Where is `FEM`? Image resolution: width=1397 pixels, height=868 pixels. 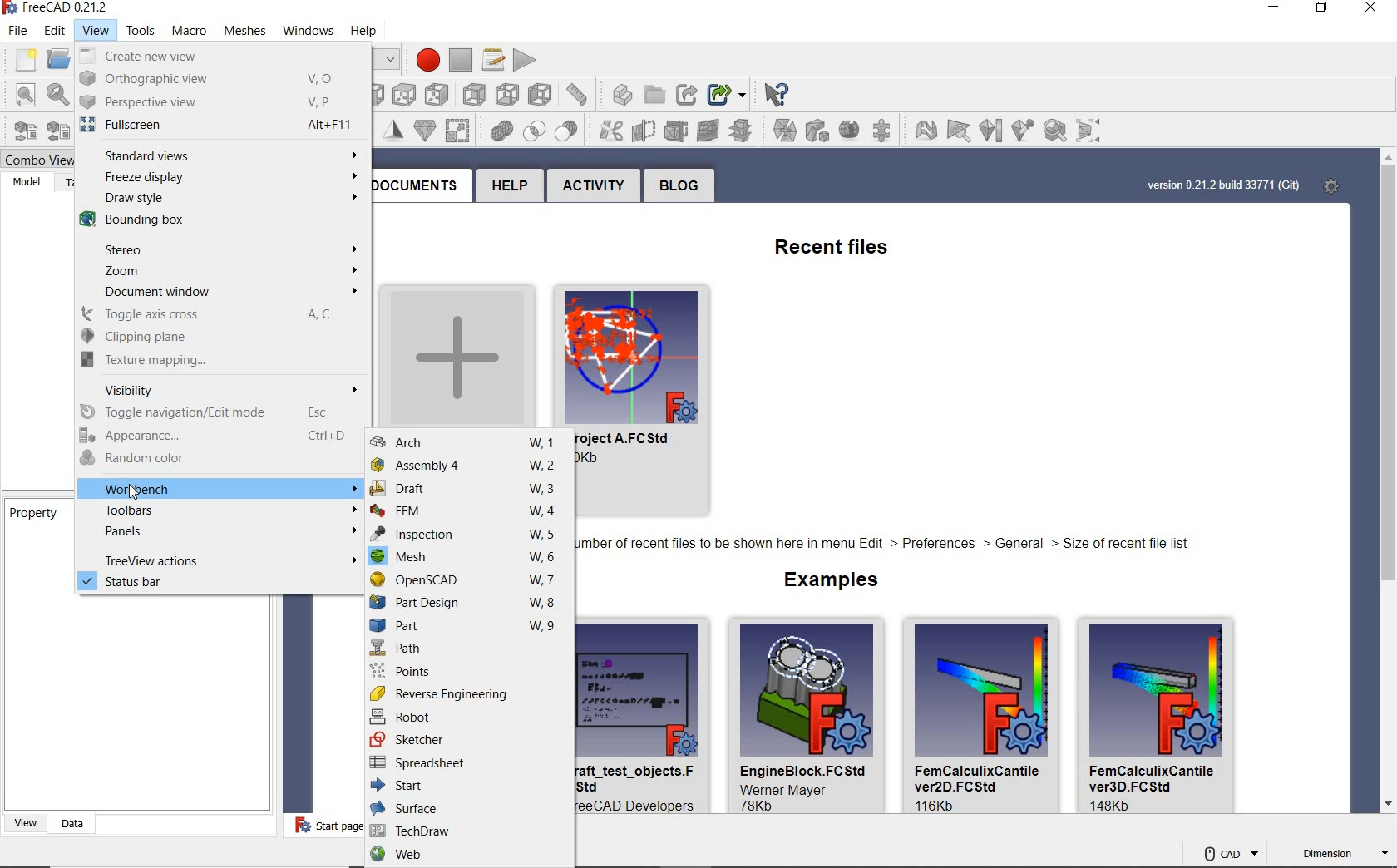 FEM is located at coordinates (470, 511).